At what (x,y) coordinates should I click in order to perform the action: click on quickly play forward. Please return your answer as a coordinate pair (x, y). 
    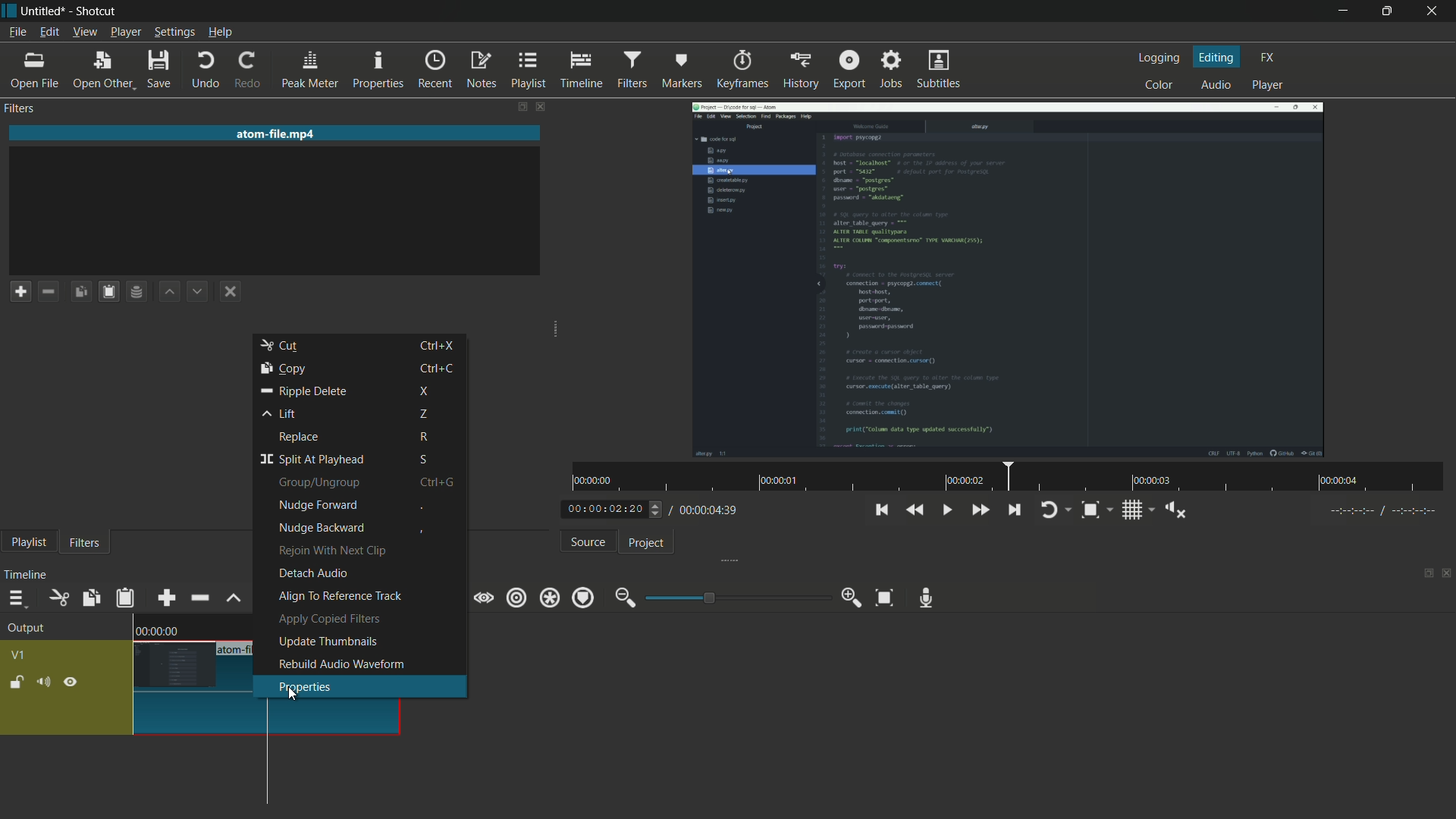
    Looking at the image, I should click on (982, 511).